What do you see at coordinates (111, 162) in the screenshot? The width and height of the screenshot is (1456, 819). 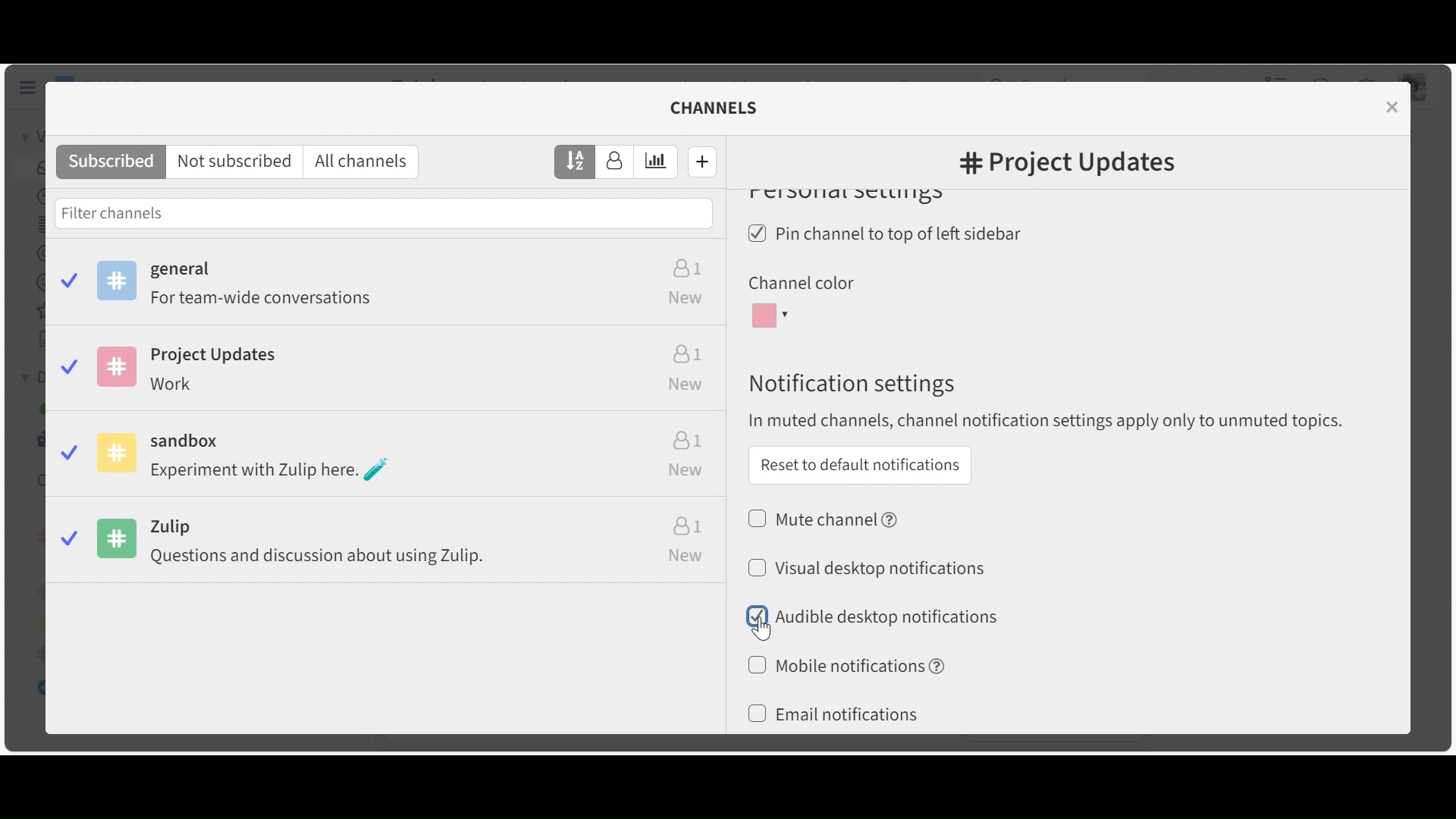 I see `Subscribed channels` at bounding box center [111, 162].